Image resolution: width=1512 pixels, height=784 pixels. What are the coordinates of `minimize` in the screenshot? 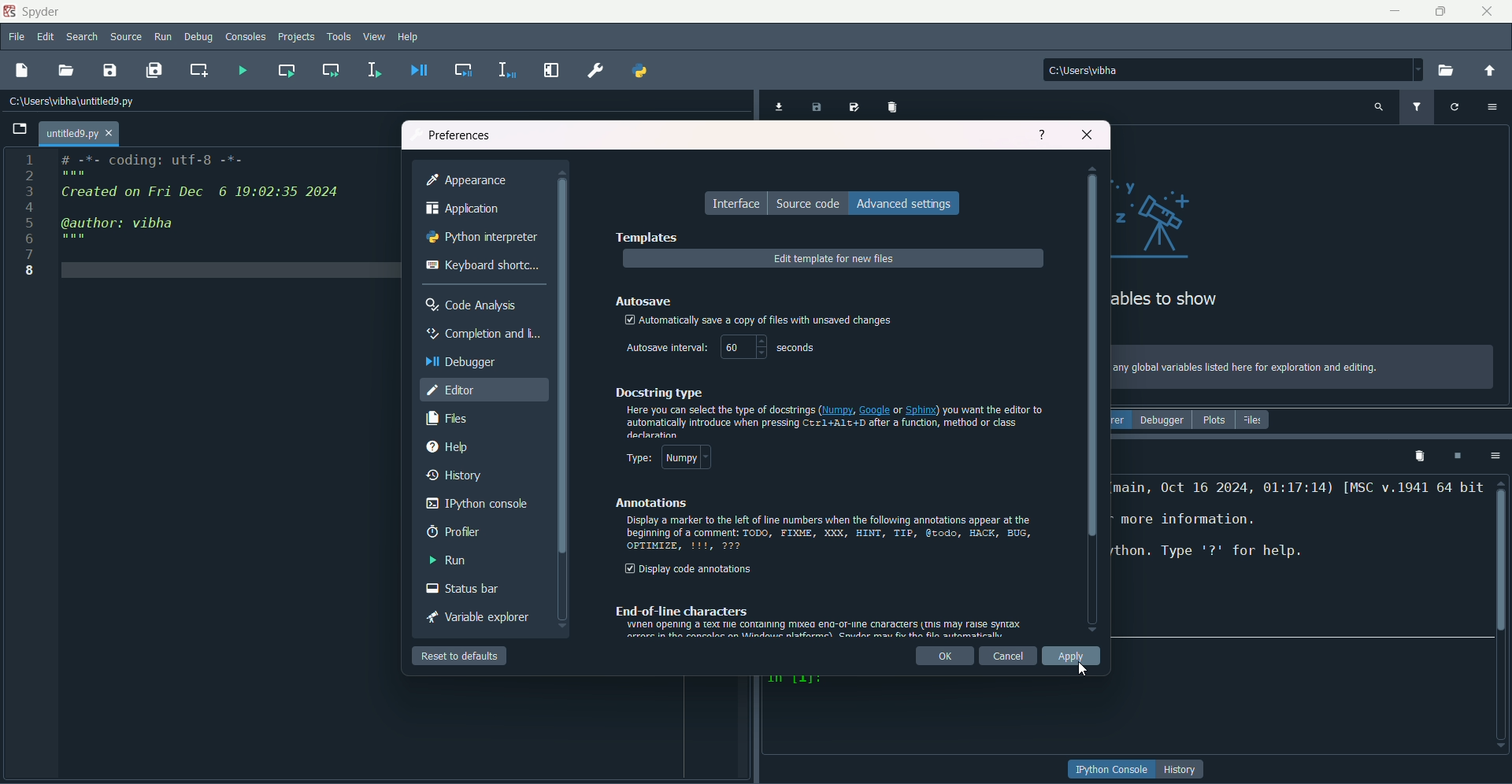 It's located at (1395, 11).